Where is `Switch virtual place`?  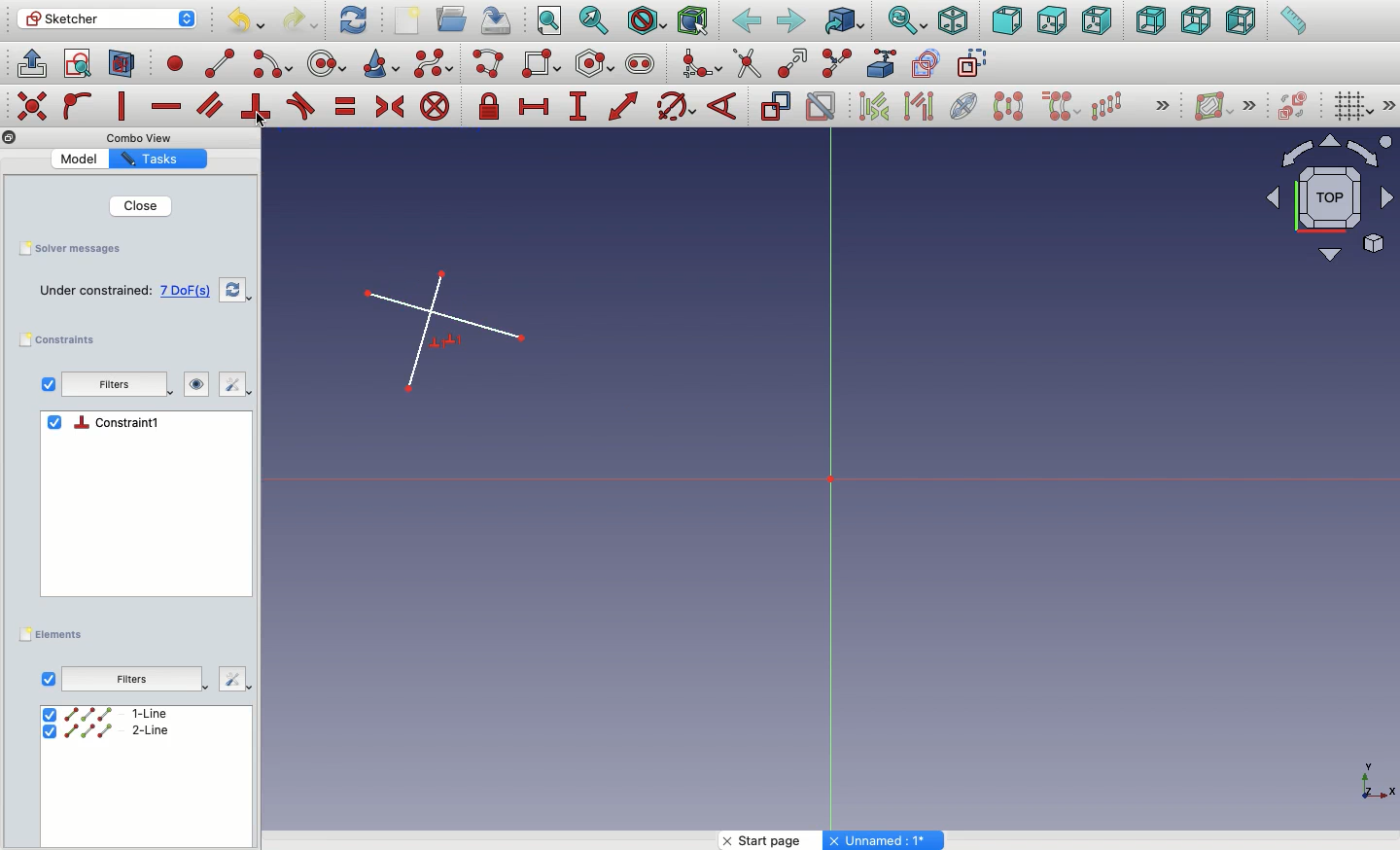 Switch virtual place is located at coordinates (1294, 106).